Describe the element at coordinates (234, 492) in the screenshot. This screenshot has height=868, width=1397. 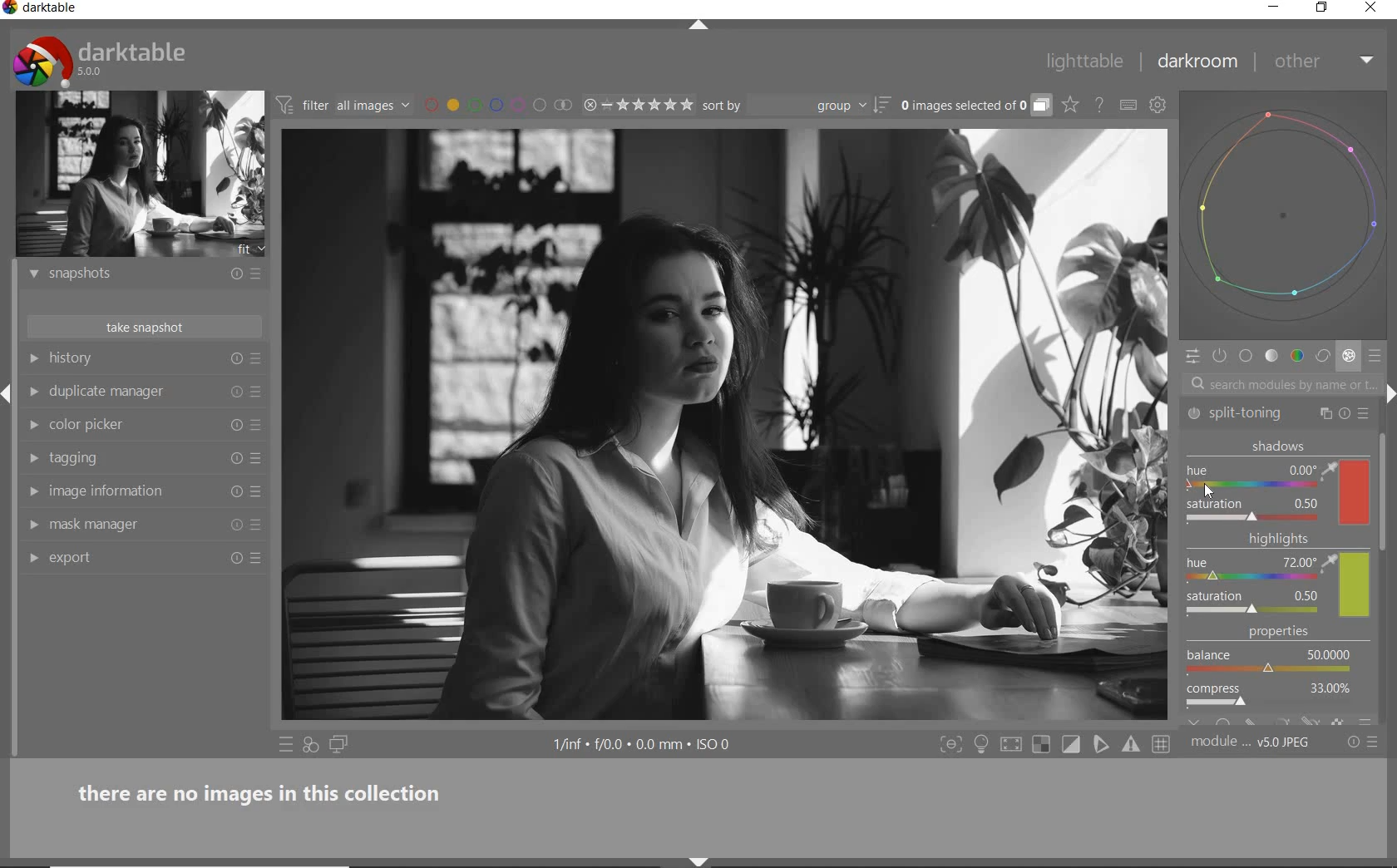
I see `reset` at that location.